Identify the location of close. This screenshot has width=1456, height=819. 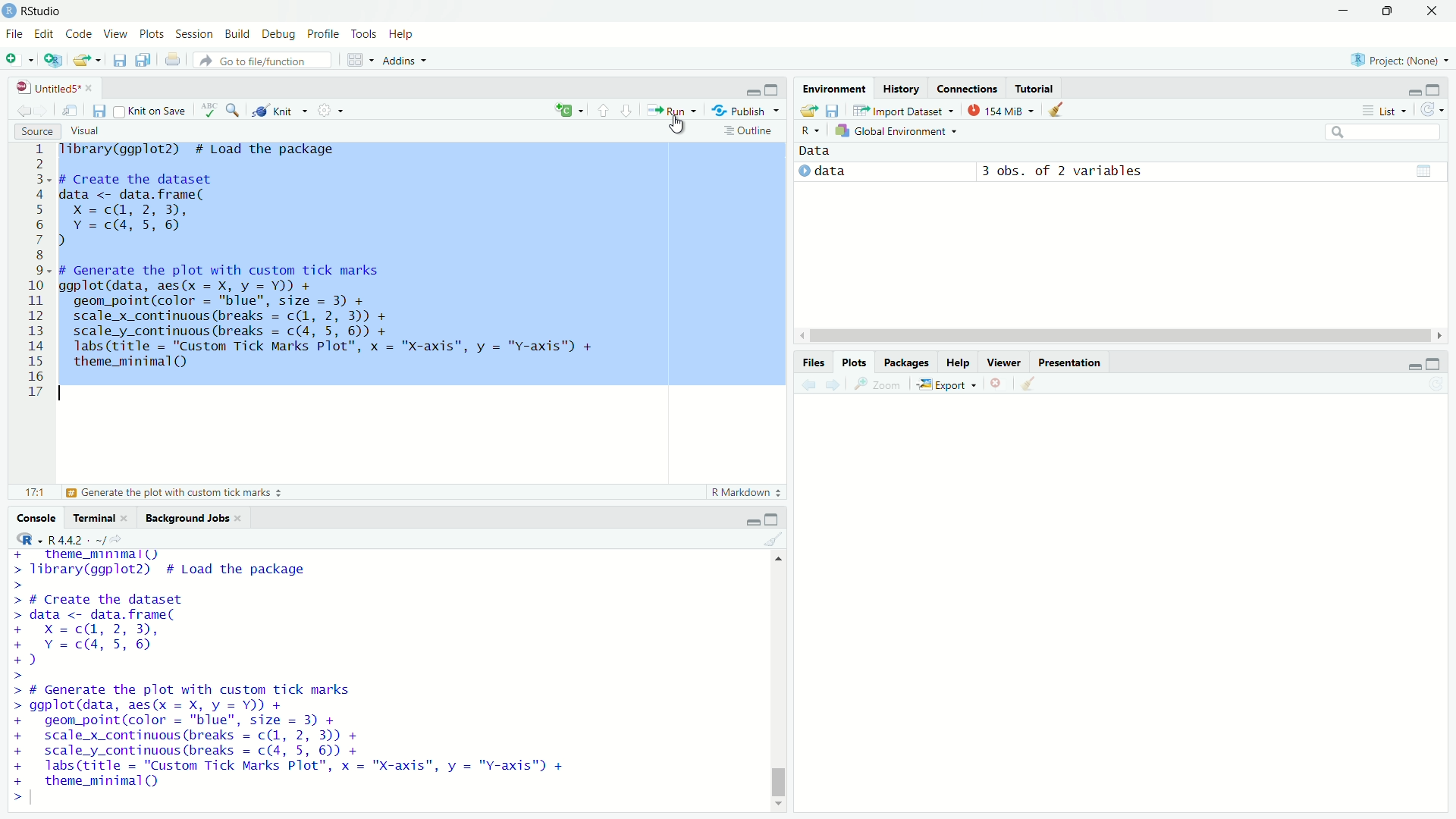
(93, 86).